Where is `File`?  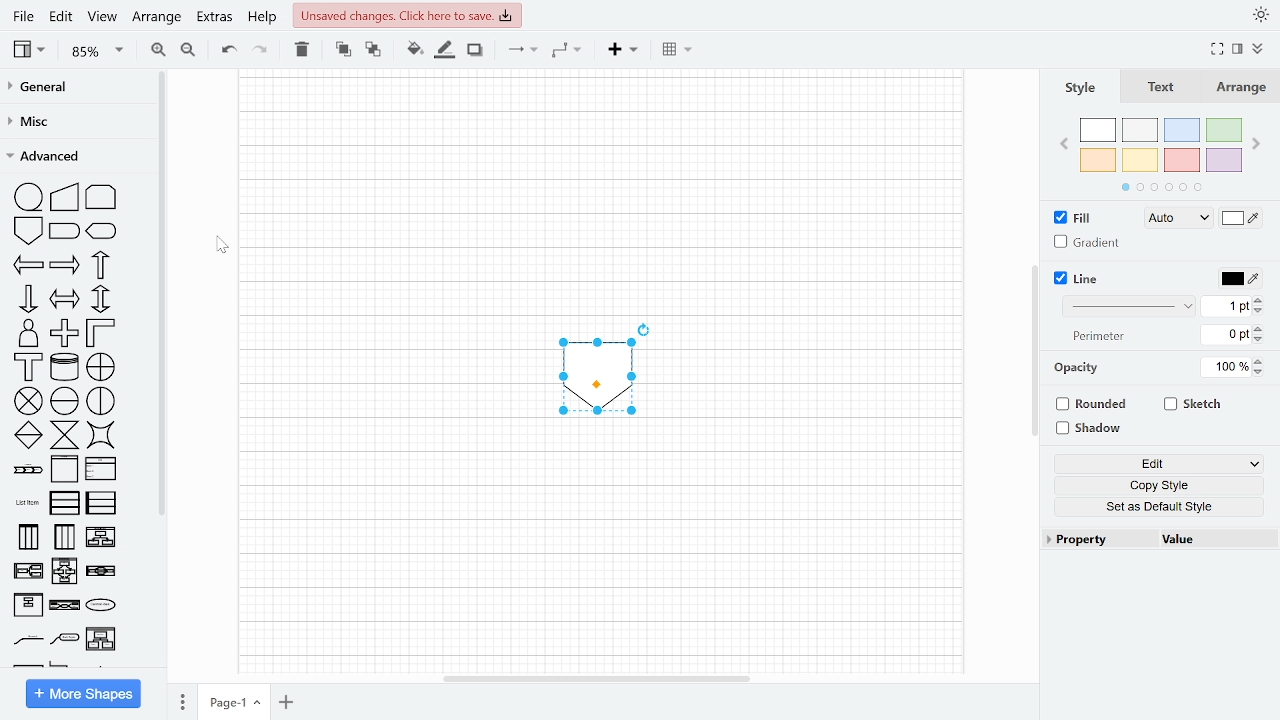
File is located at coordinates (25, 16).